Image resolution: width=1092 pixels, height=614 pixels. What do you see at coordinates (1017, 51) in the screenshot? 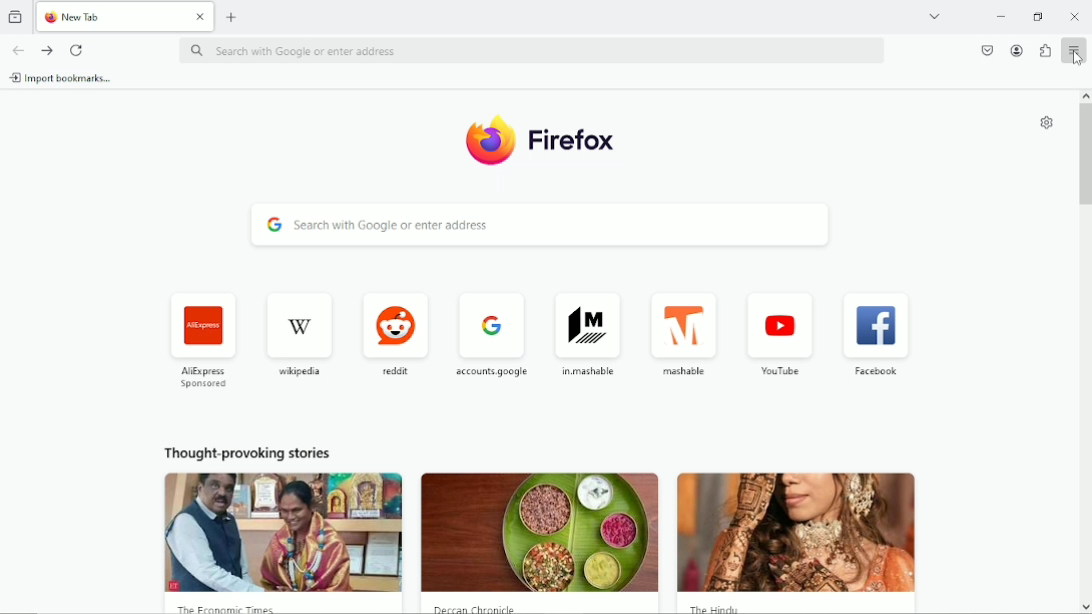
I see `account` at bounding box center [1017, 51].